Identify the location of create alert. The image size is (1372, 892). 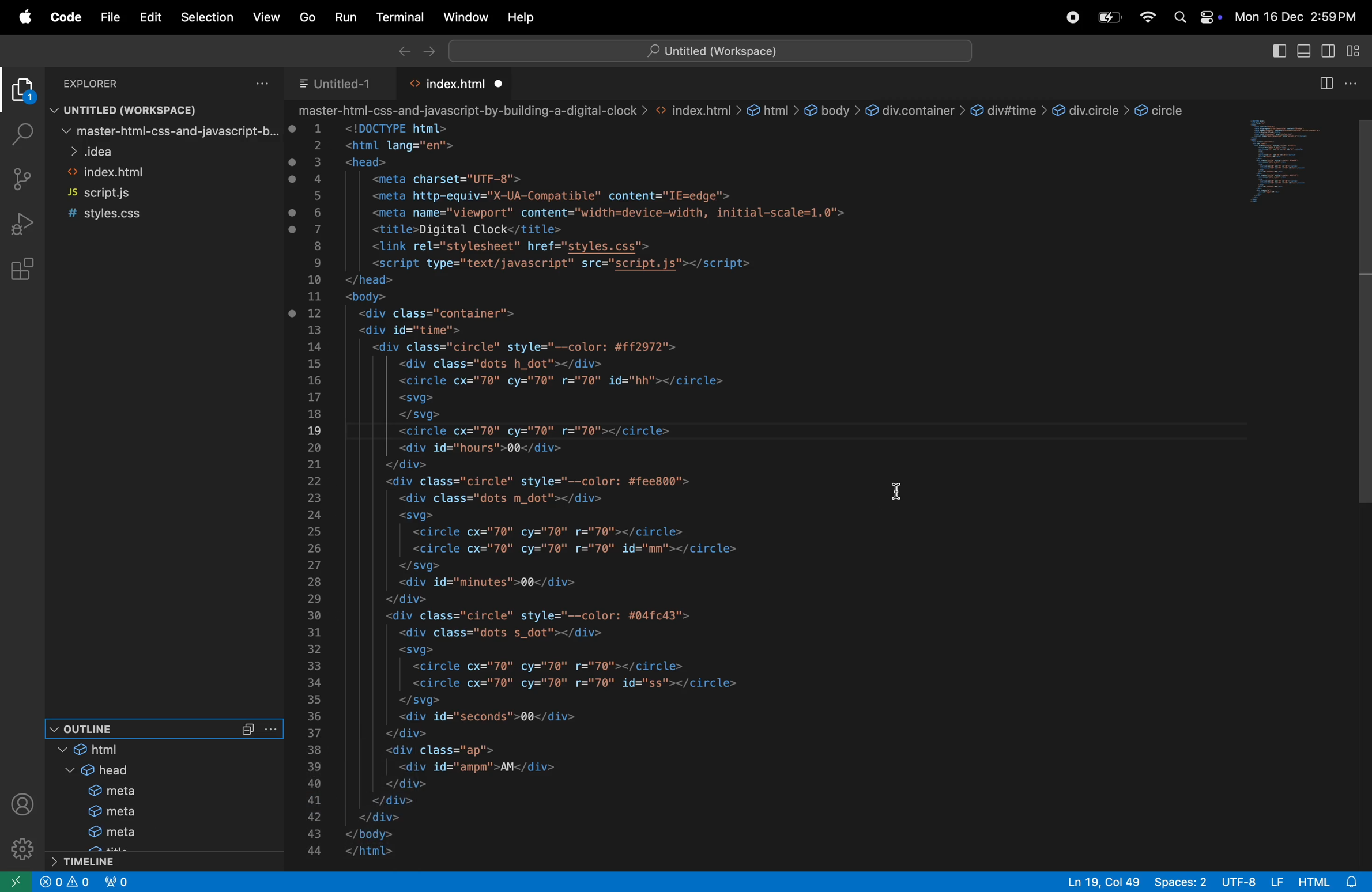
(52, 882).